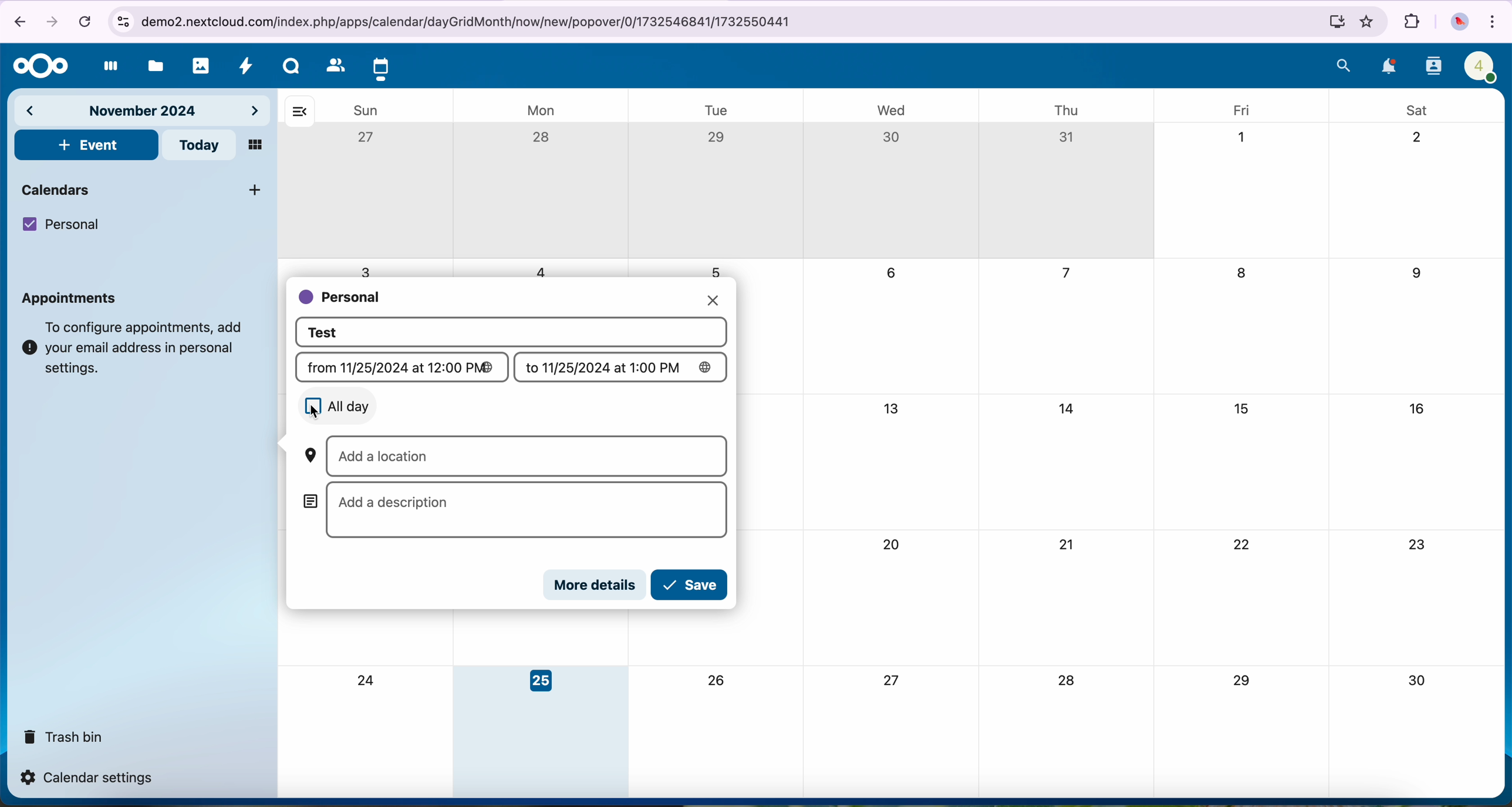 Image resolution: width=1512 pixels, height=807 pixels. Describe the element at coordinates (1457, 23) in the screenshot. I see `profile picture` at that location.